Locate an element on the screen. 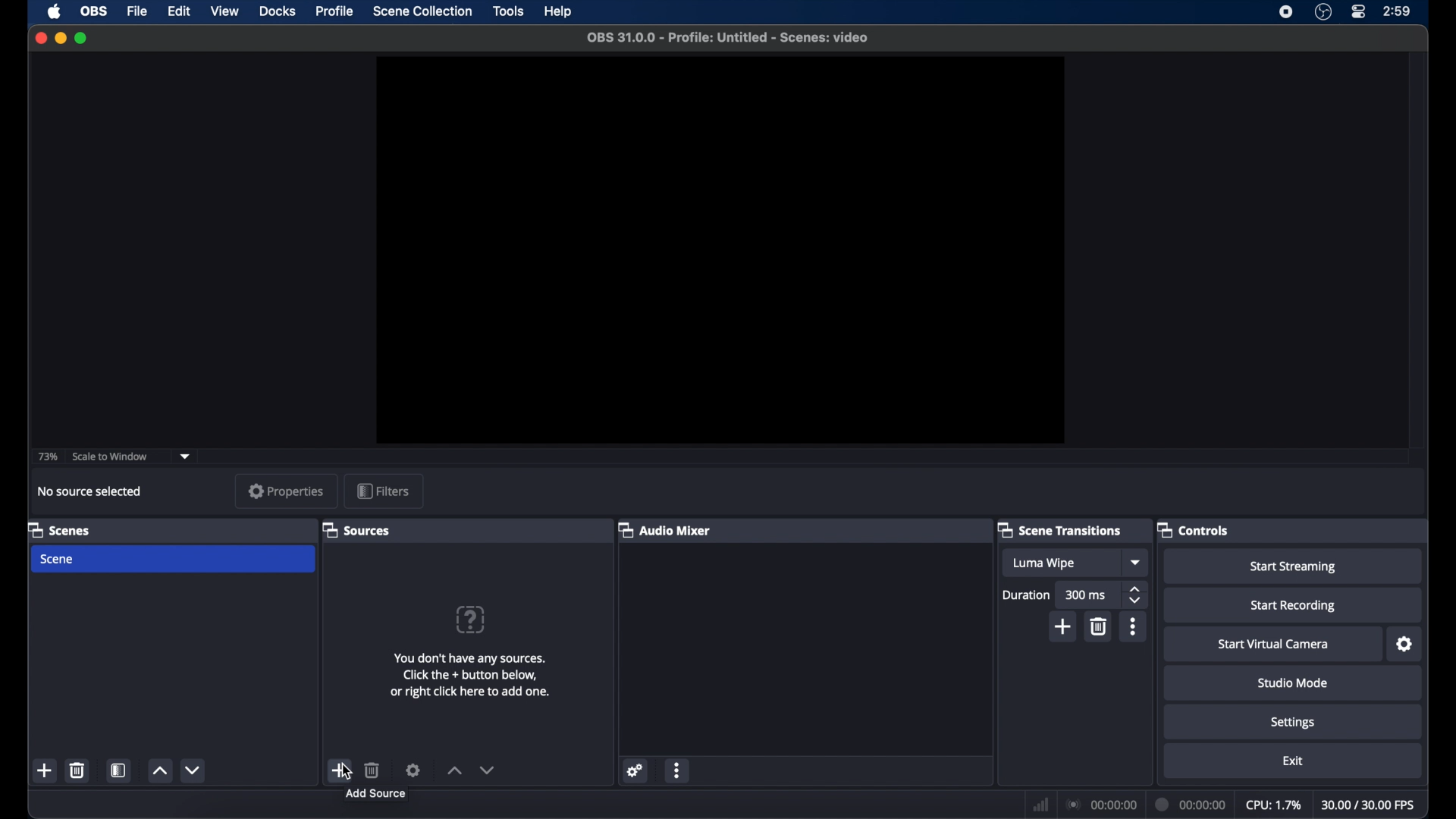 This screenshot has height=819, width=1456. ob is located at coordinates (96, 11).